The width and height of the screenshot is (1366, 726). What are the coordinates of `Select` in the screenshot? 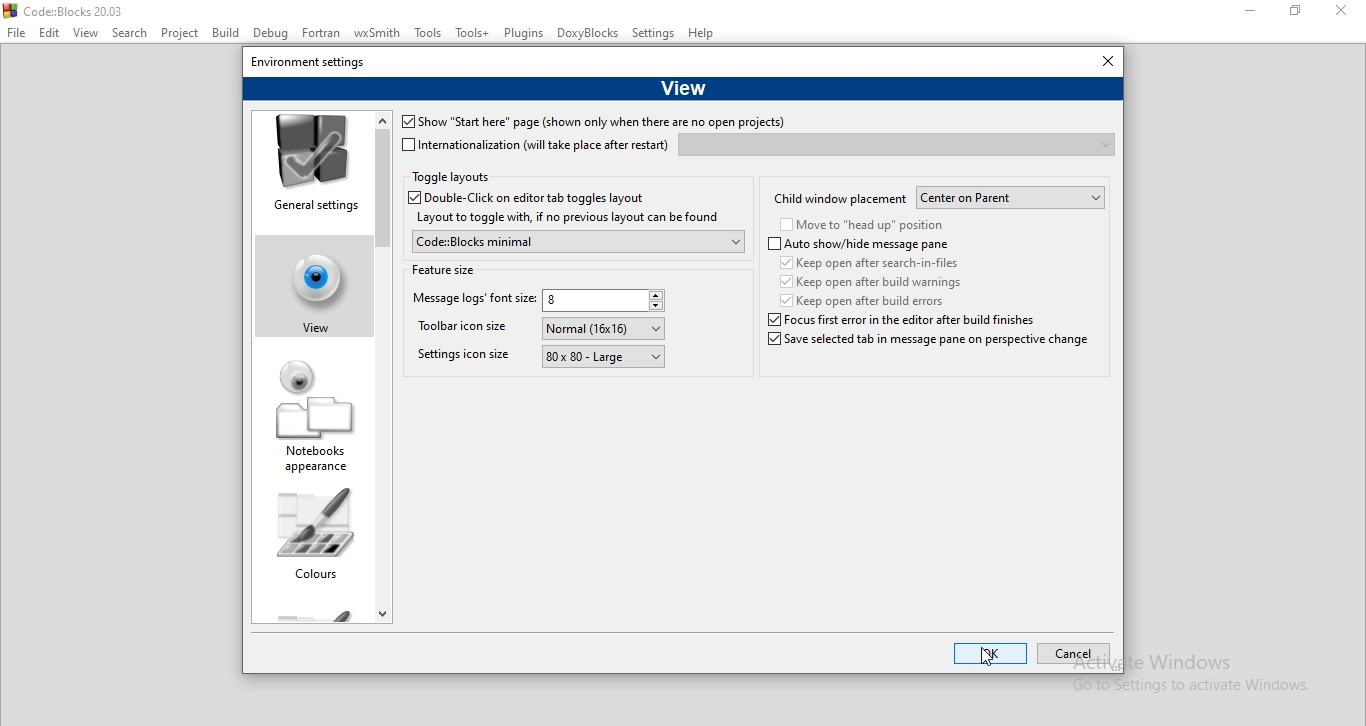 It's located at (132, 35).